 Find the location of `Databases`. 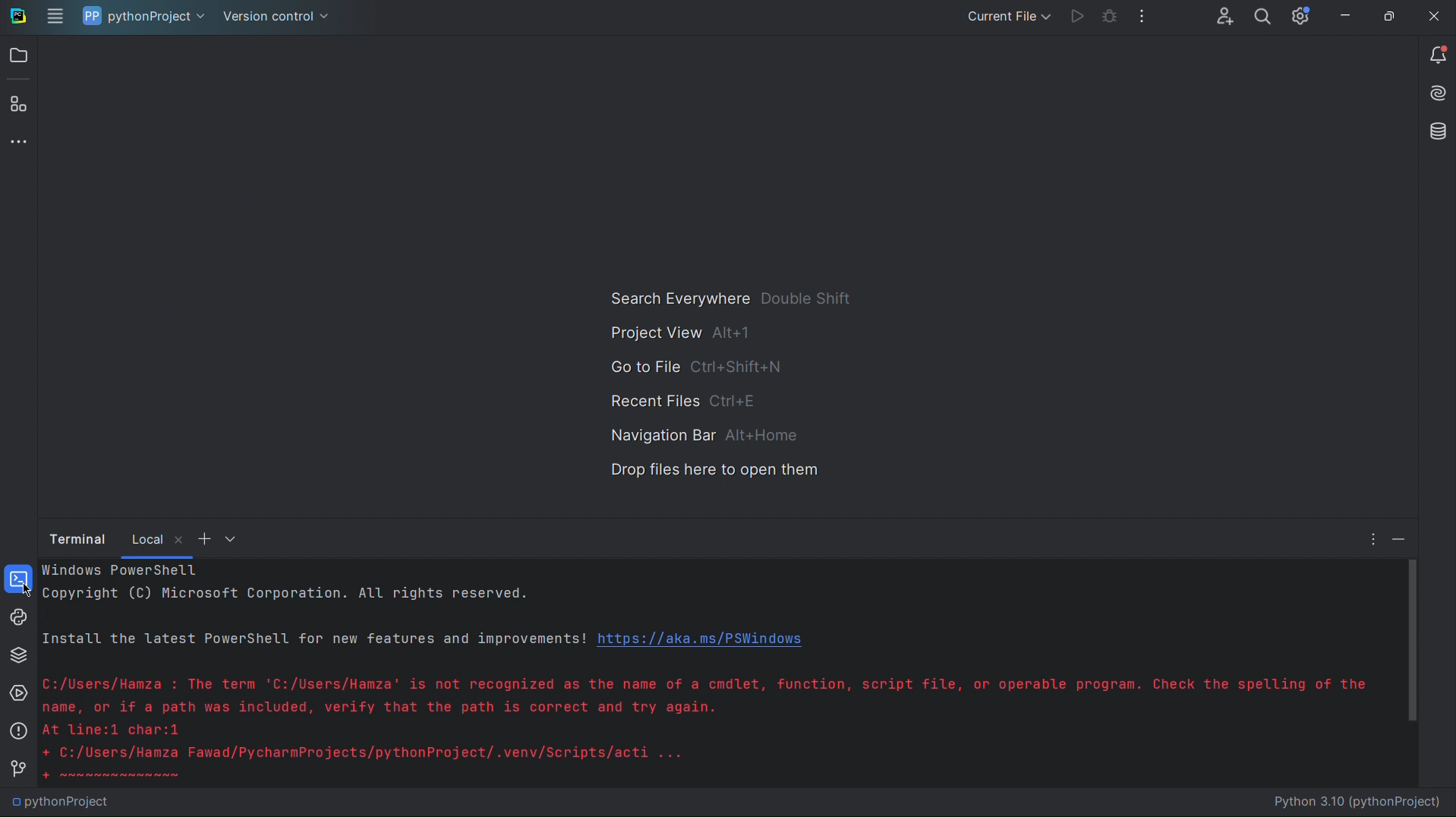

Databases is located at coordinates (1435, 133).